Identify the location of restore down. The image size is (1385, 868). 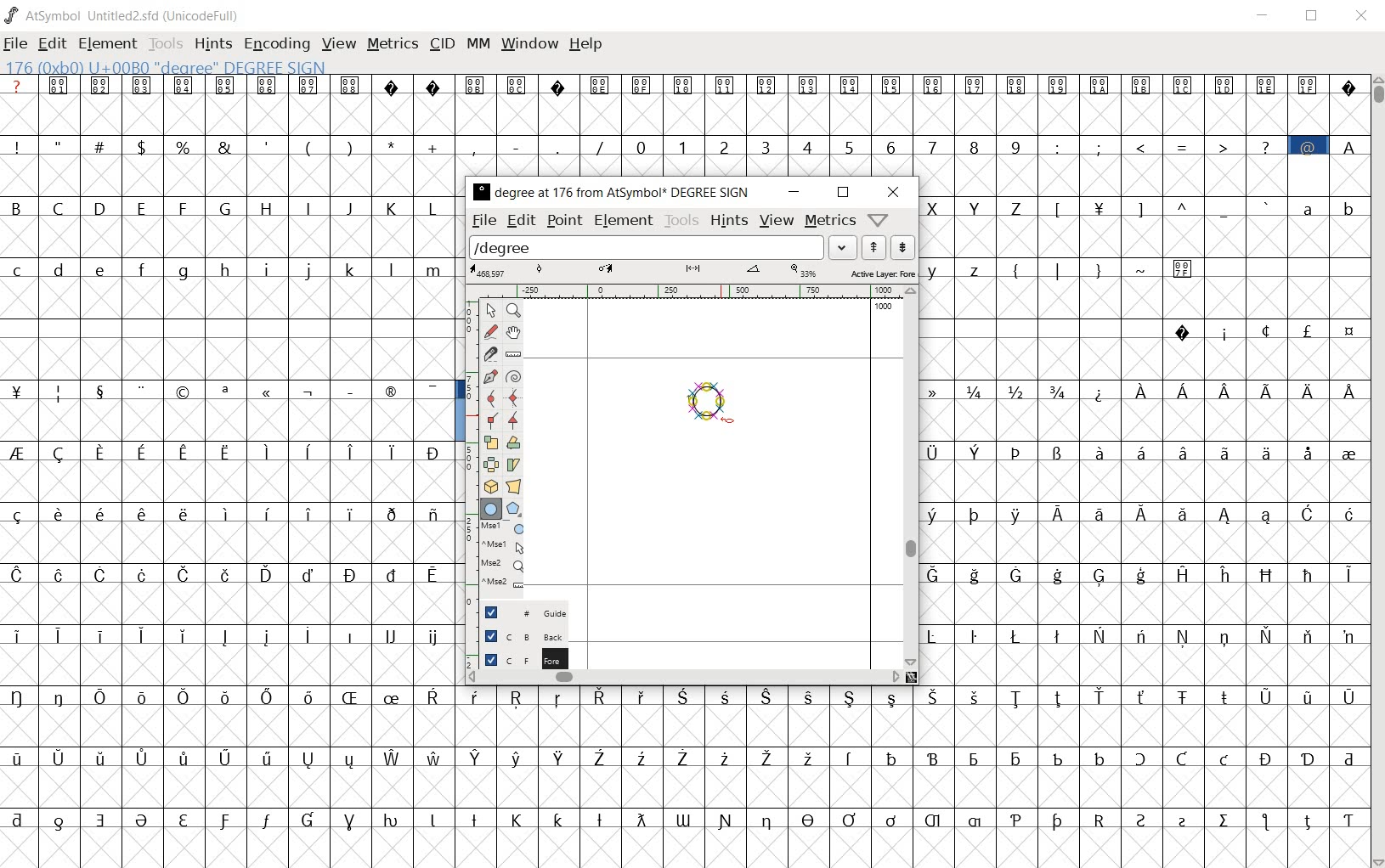
(1314, 16).